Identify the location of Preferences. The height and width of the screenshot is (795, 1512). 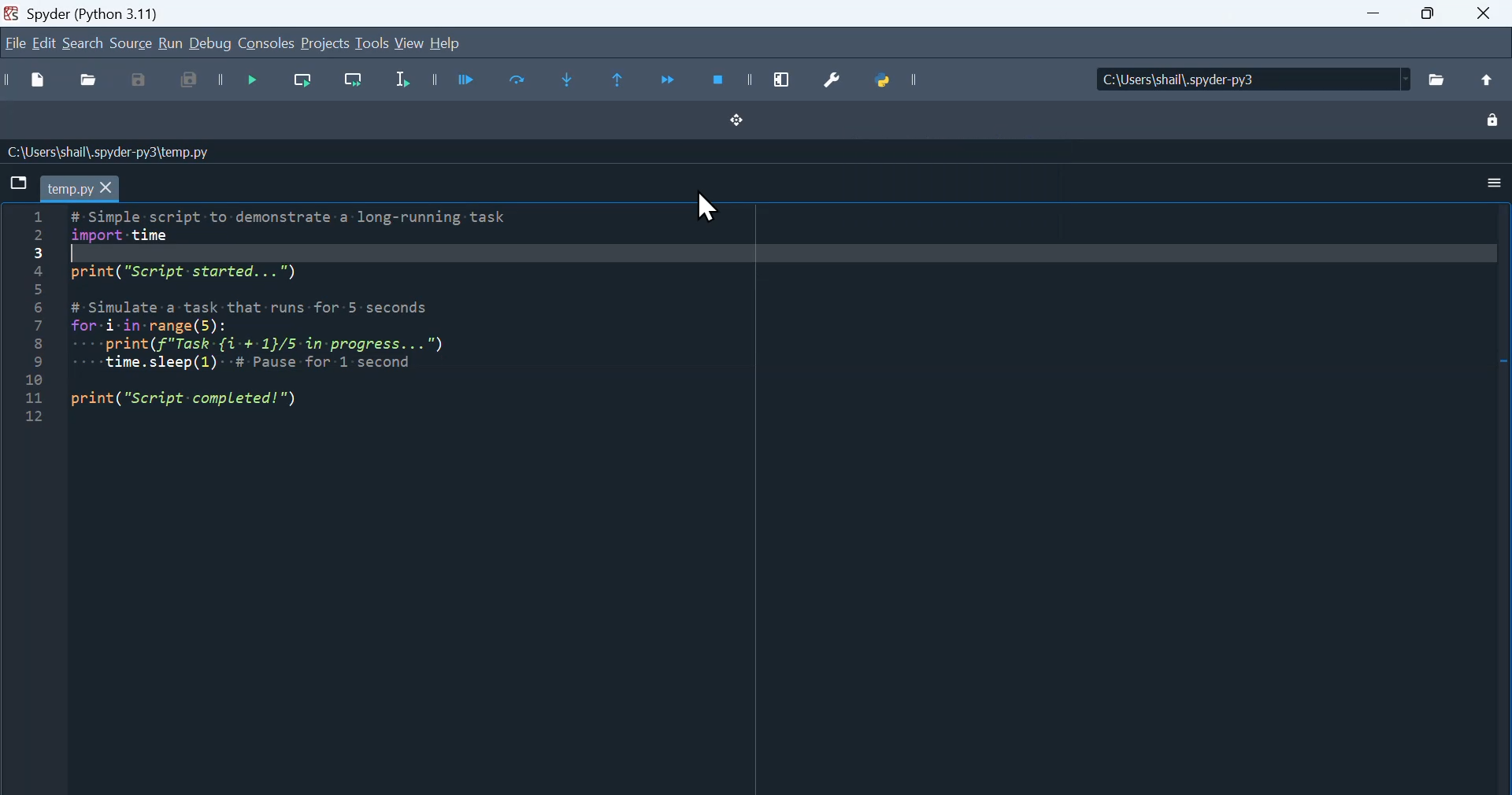
(837, 79).